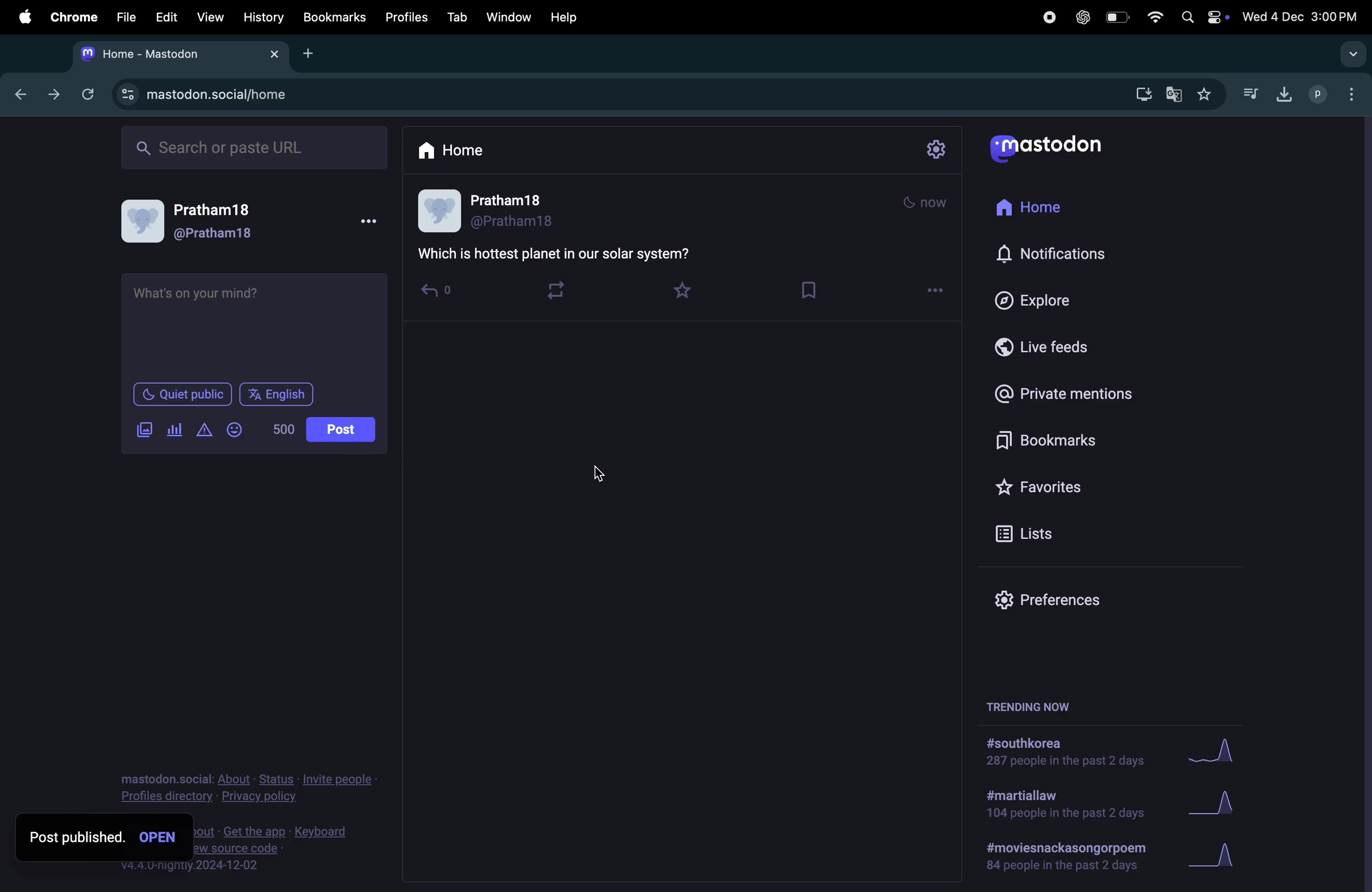 This screenshot has height=892, width=1372. What do you see at coordinates (1060, 601) in the screenshot?
I see `Prefrences` at bounding box center [1060, 601].